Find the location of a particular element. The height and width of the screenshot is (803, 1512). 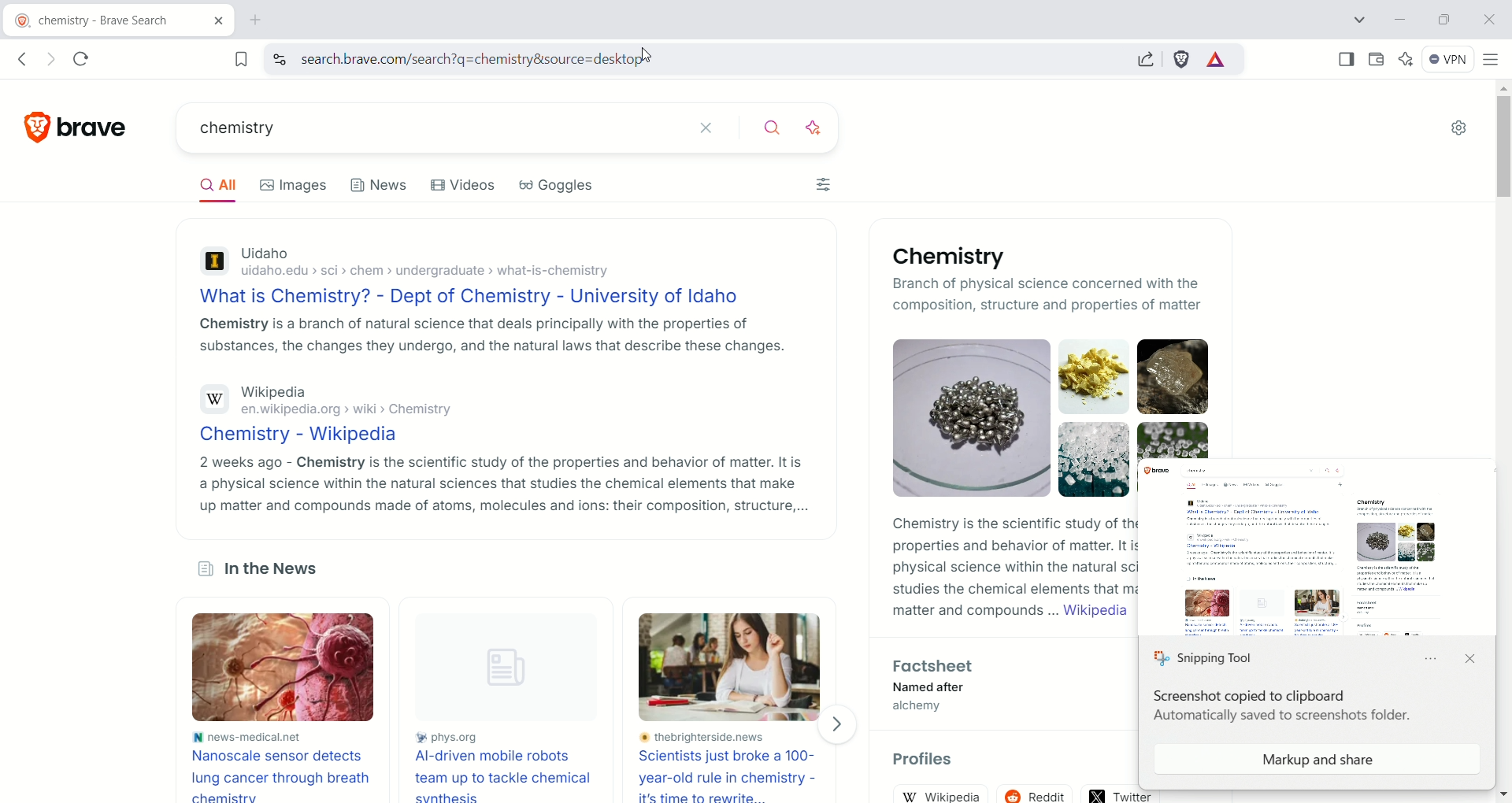

2 weeks ago - Chemistry is the scientific study of the properties and behavior of matter. It is a physical science within the natural sciences that studies the chemical elements that make up matter and compounds made of atoms, molecules and ions: their composition, structure, is located at coordinates (502, 484).